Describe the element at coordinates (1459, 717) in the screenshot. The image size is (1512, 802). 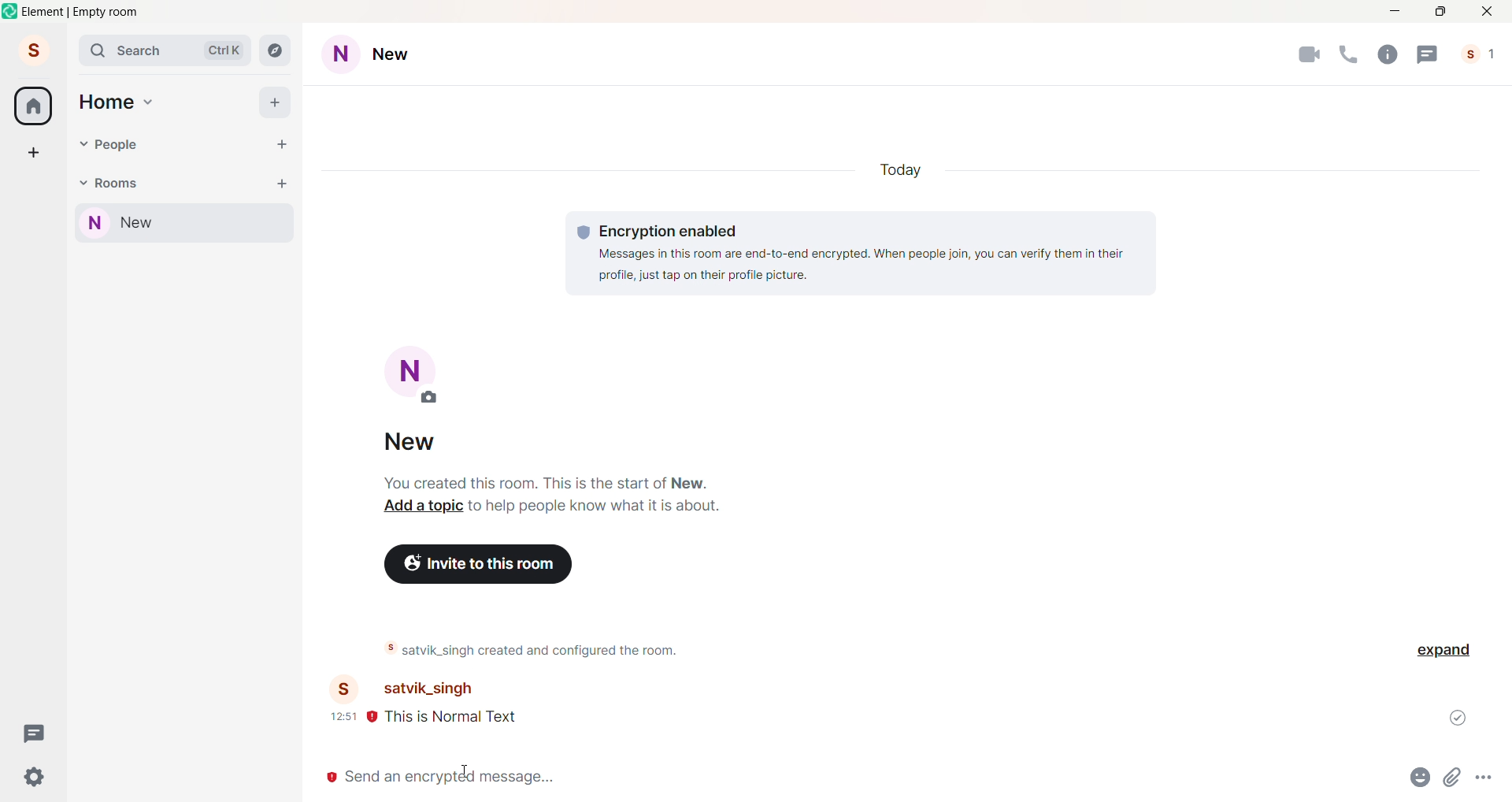
I see `Message sent` at that location.